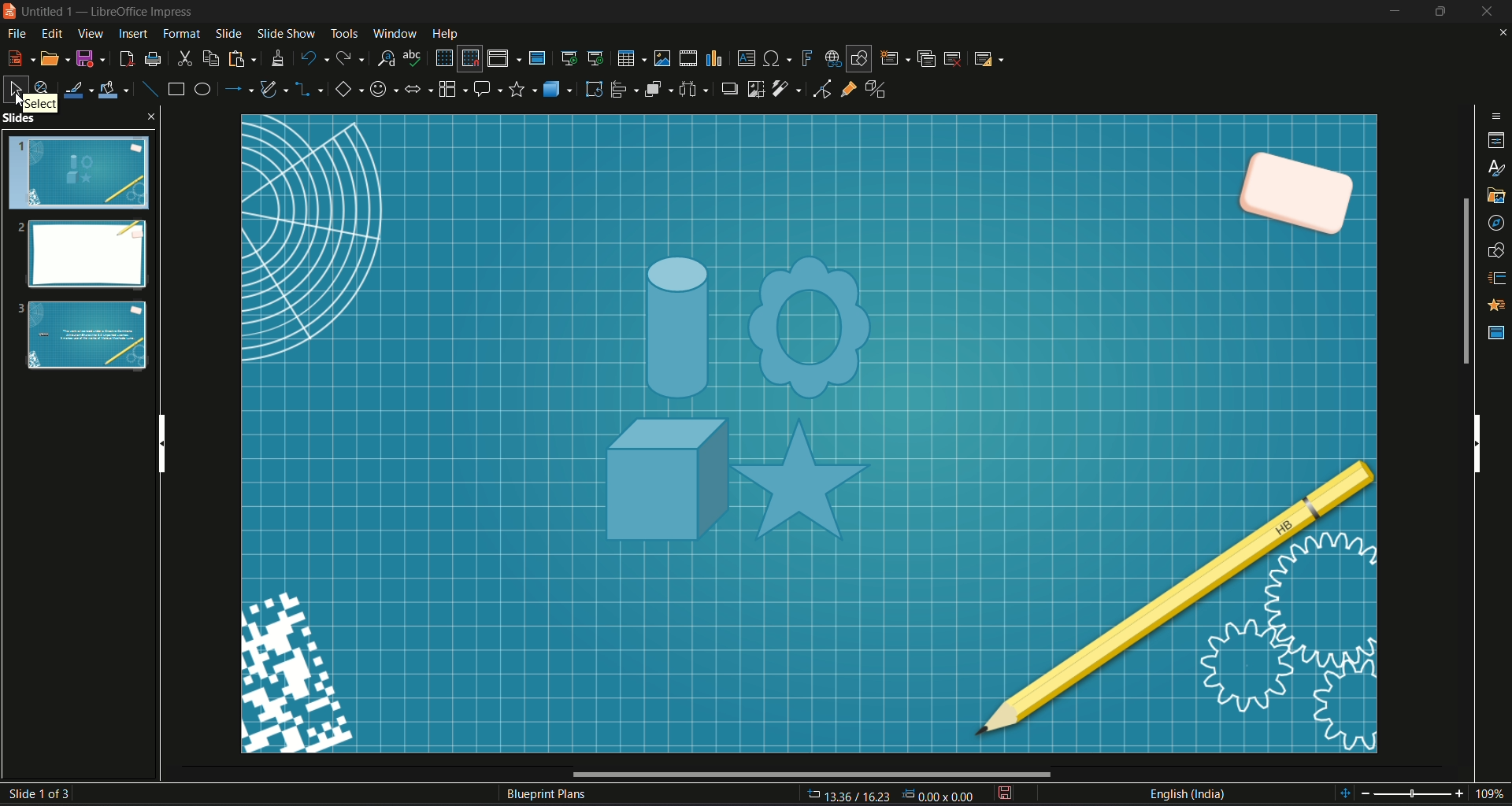 The width and height of the screenshot is (1512, 806). What do you see at coordinates (630, 58) in the screenshot?
I see `table` at bounding box center [630, 58].